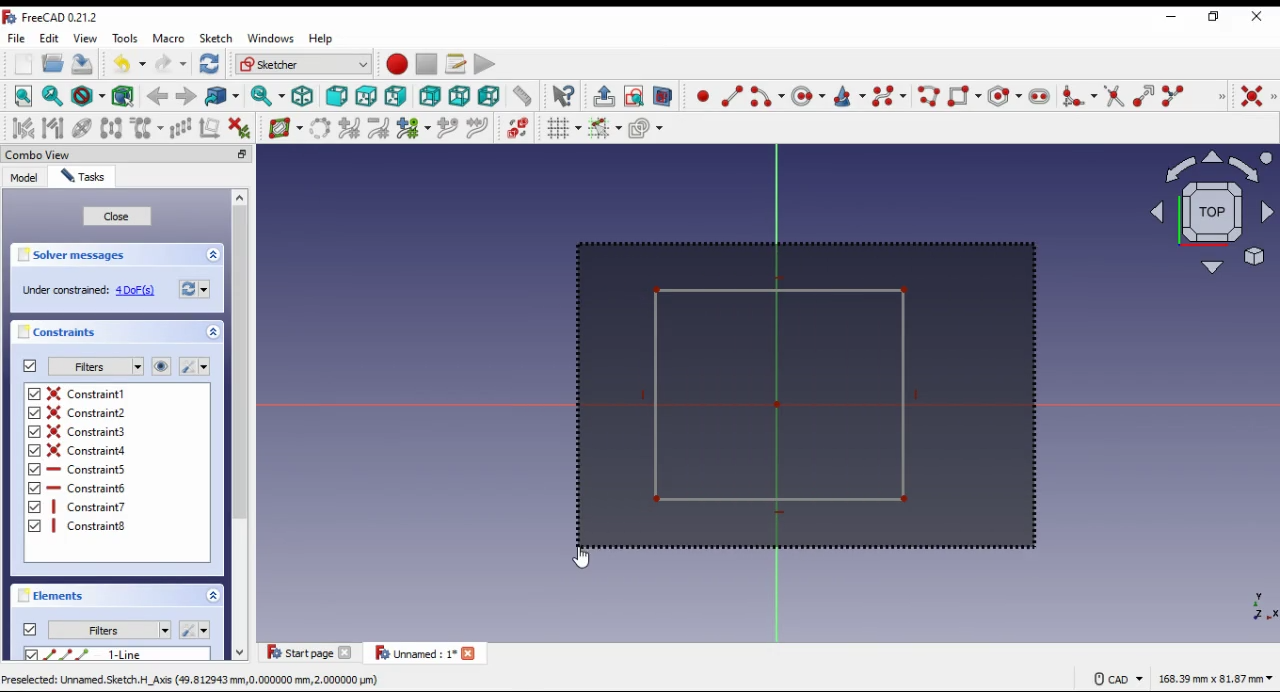 This screenshot has height=692, width=1280. Describe the element at coordinates (90, 393) in the screenshot. I see `on/off constraint 1` at that location.